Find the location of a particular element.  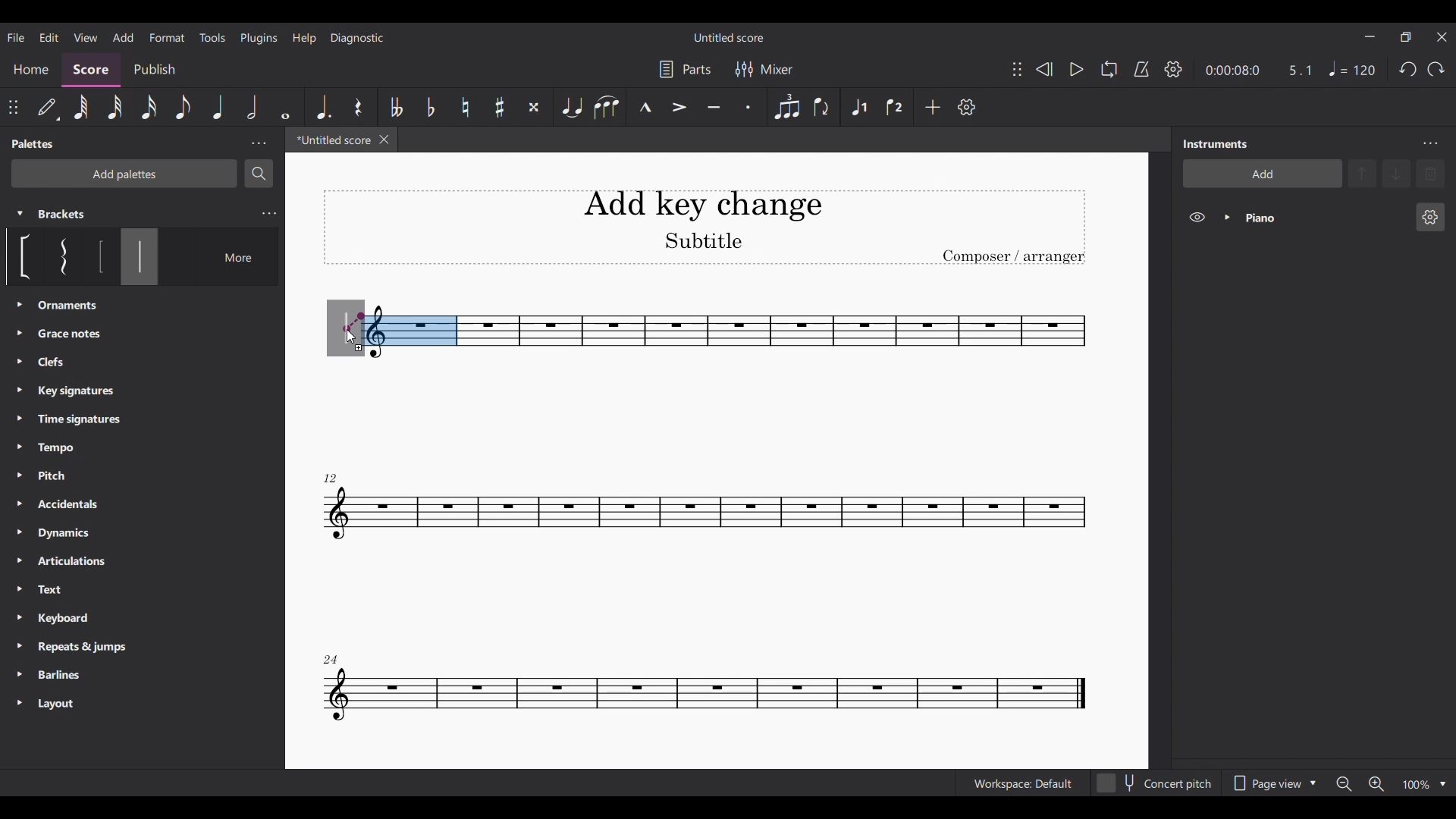

Piano instrument is located at coordinates (1325, 218).